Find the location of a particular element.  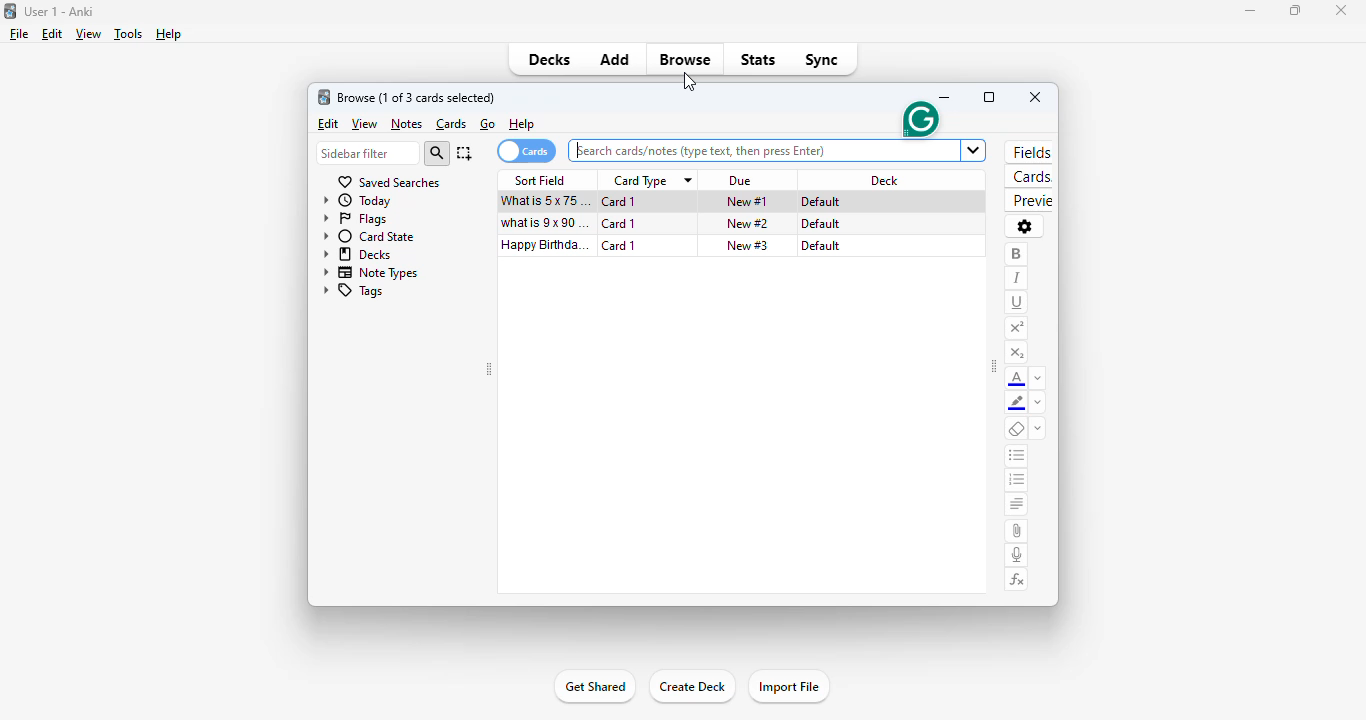

due is located at coordinates (739, 181).